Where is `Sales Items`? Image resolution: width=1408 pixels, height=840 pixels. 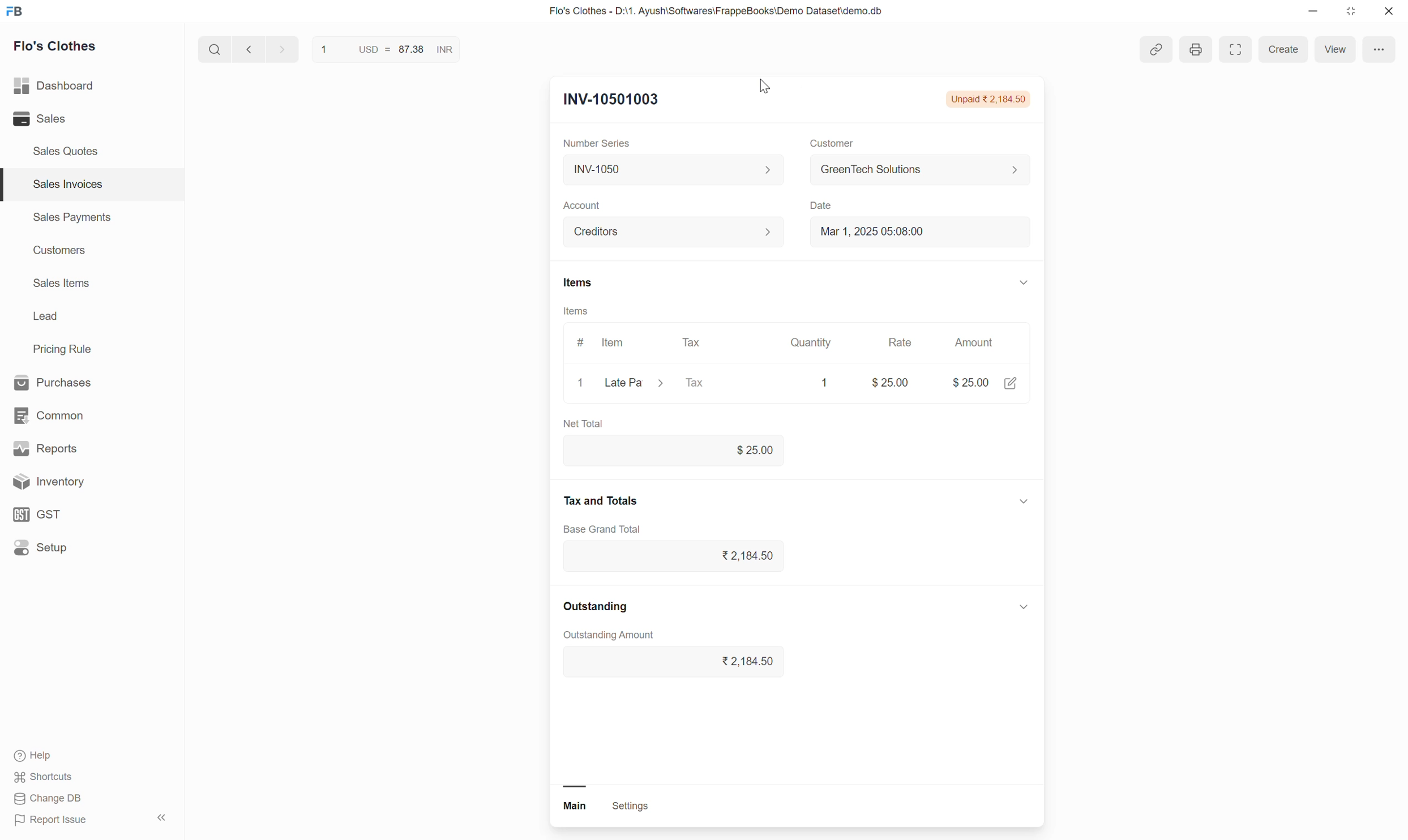
Sales Items is located at coordinates (62, 284).